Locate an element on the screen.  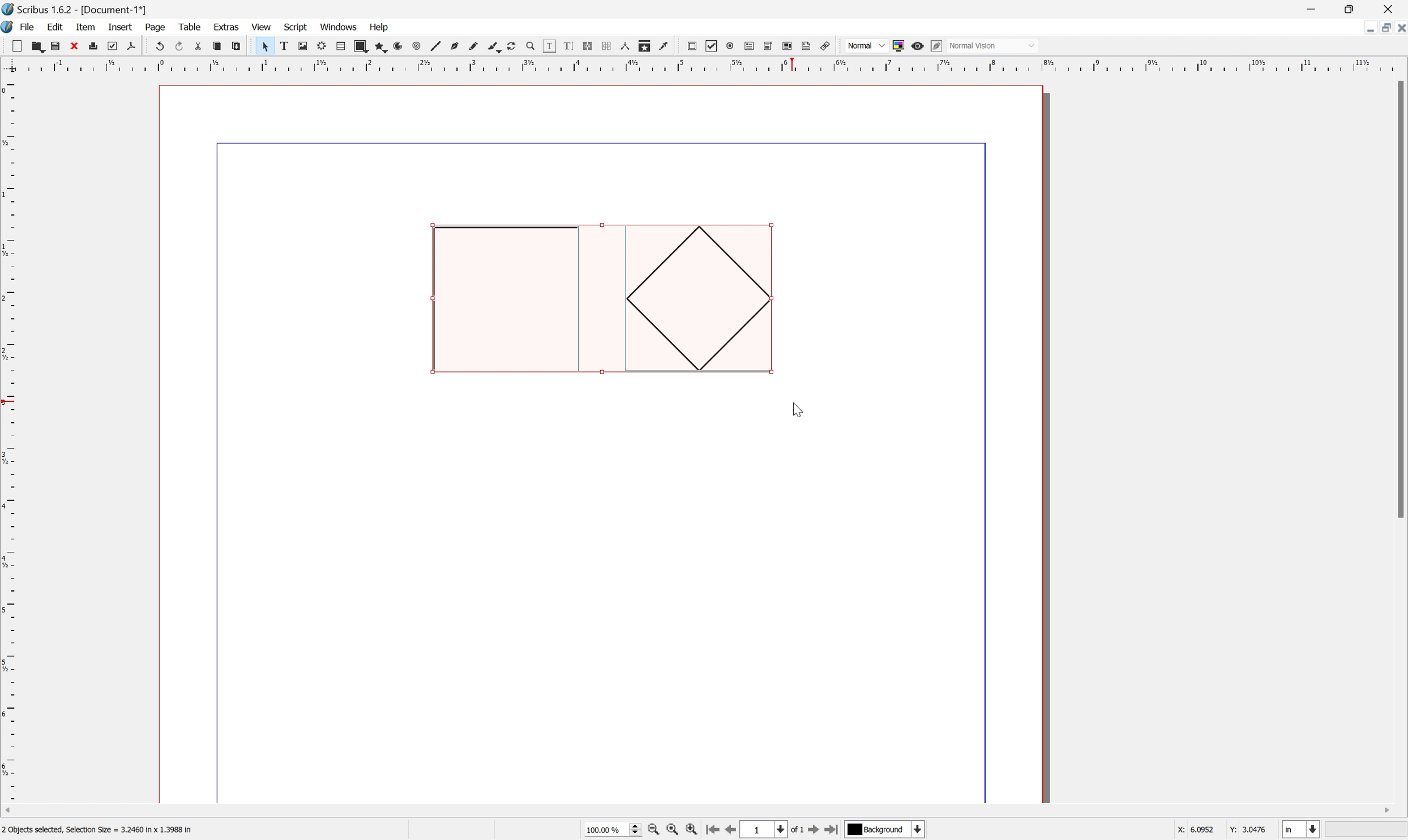
render frame is located at coordinates (319, 45).